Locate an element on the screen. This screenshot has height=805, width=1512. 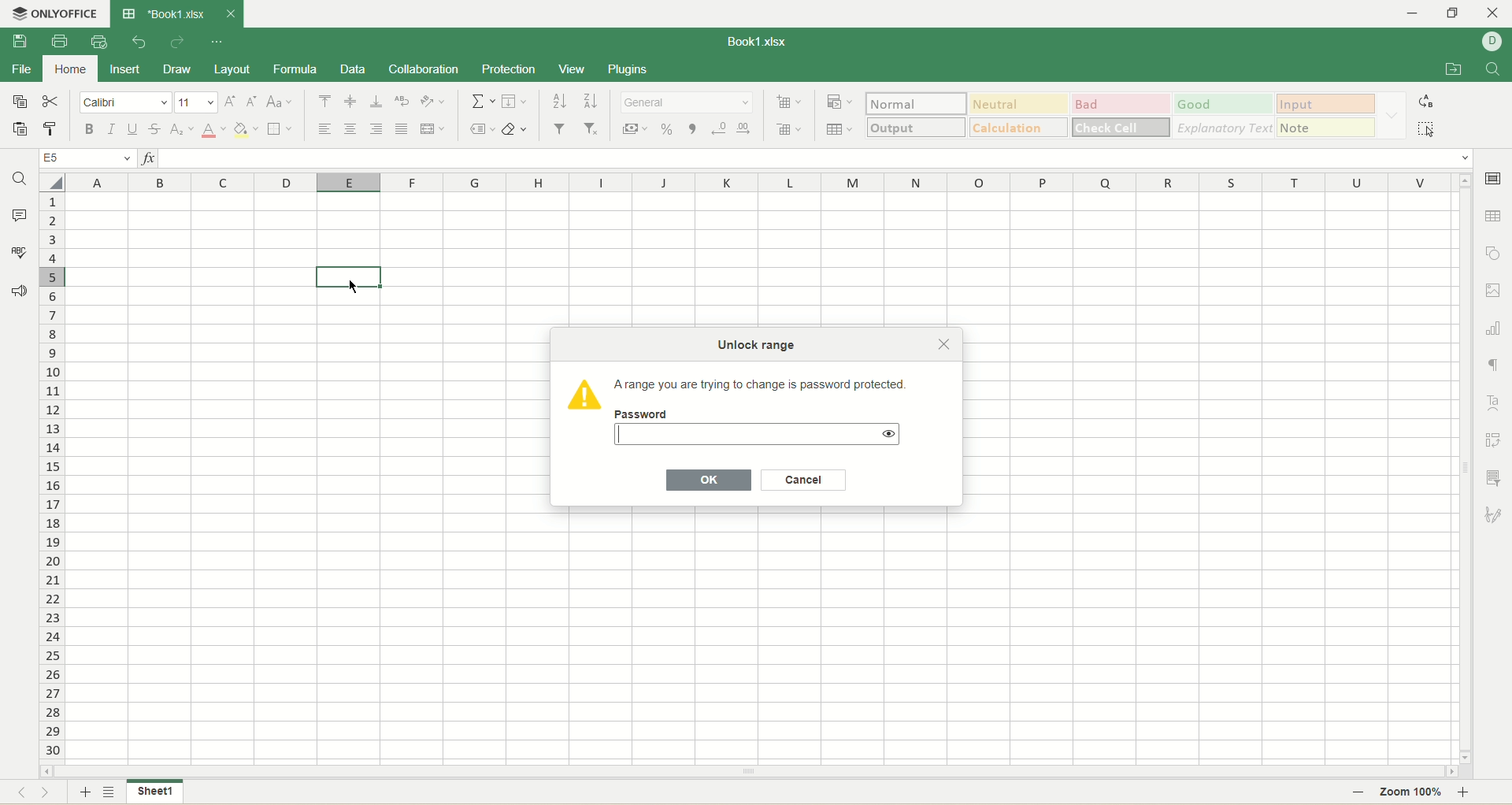
vertical scroll bar is located at coordinates (1468, 467).